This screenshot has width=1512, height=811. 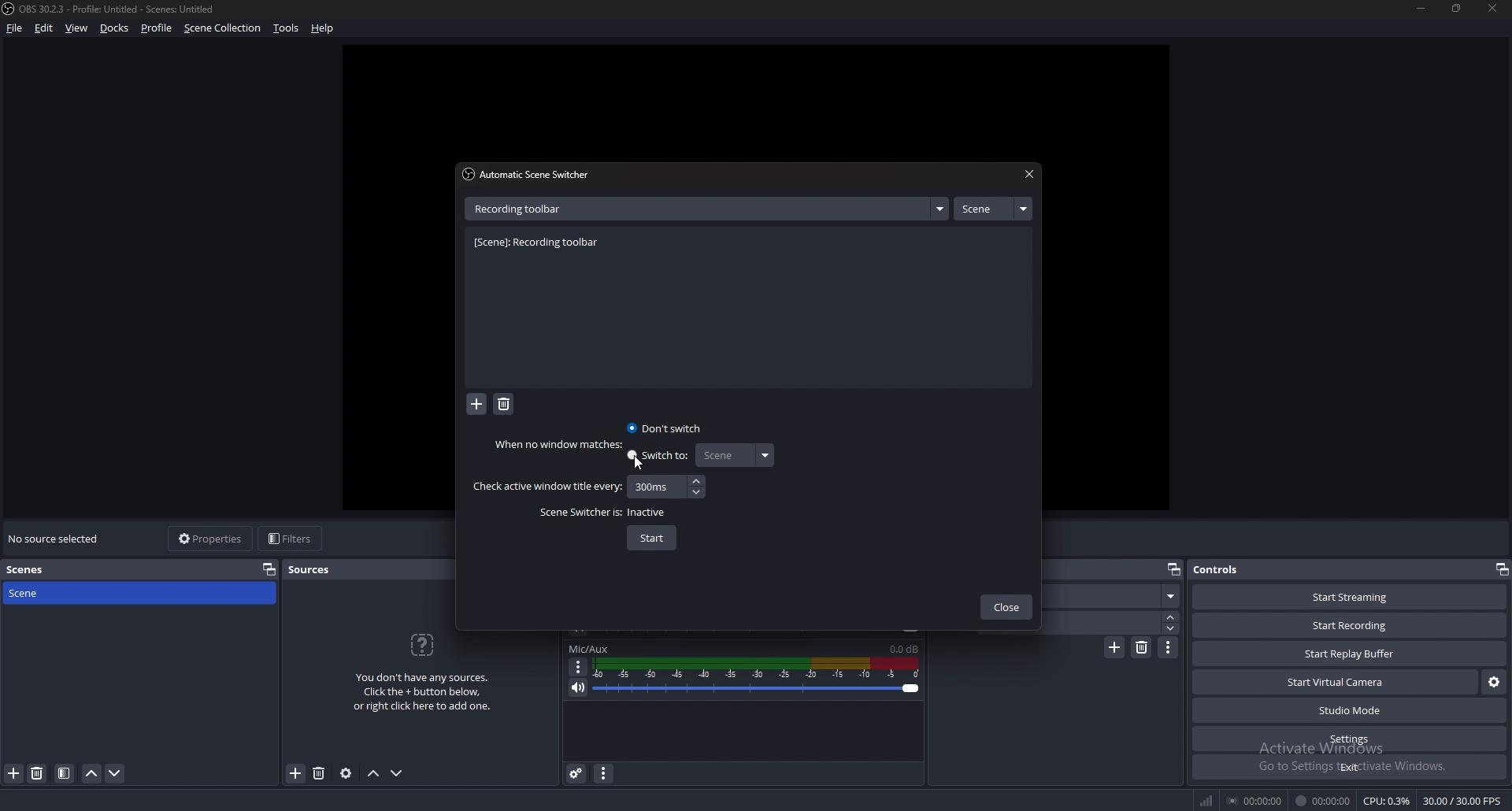 What do you see at coordinates (373, 774) in the screenshot?
I see `move source up` at bounding box center [373, 774].